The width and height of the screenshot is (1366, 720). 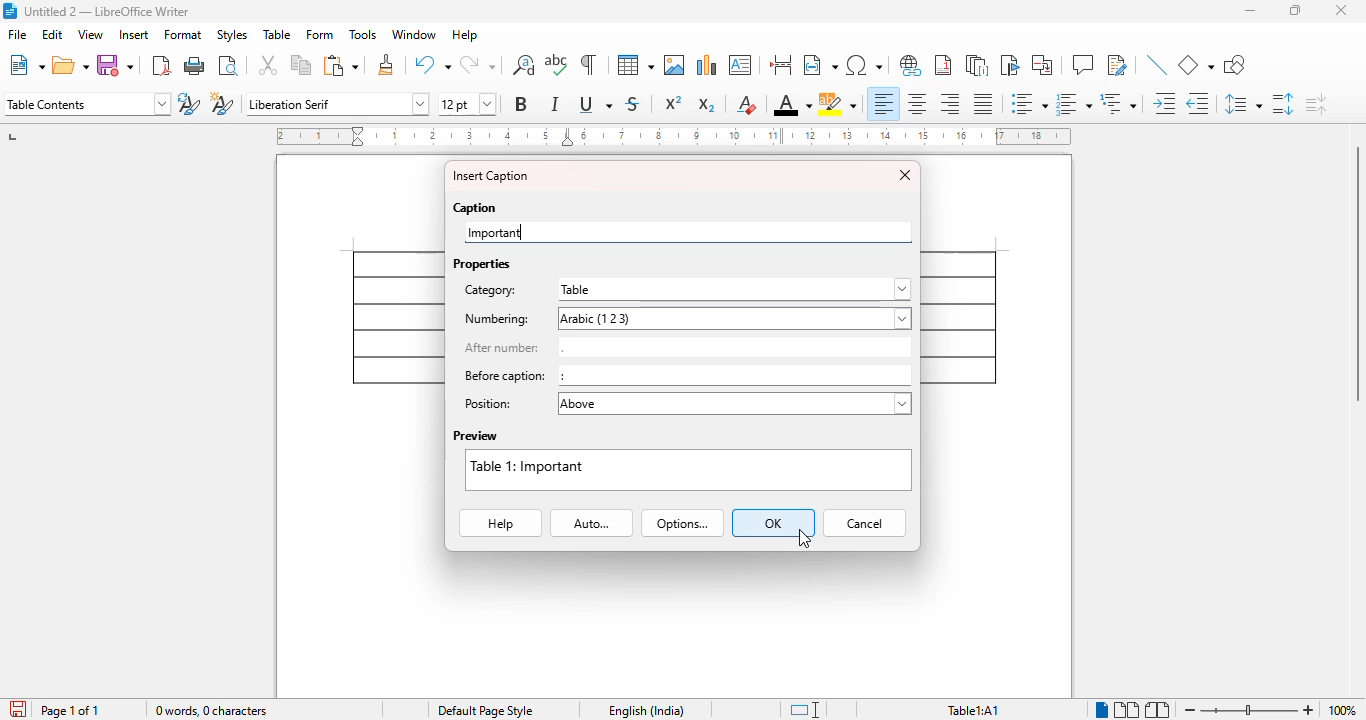 I want to click on copy, so click(x=302, y=64).